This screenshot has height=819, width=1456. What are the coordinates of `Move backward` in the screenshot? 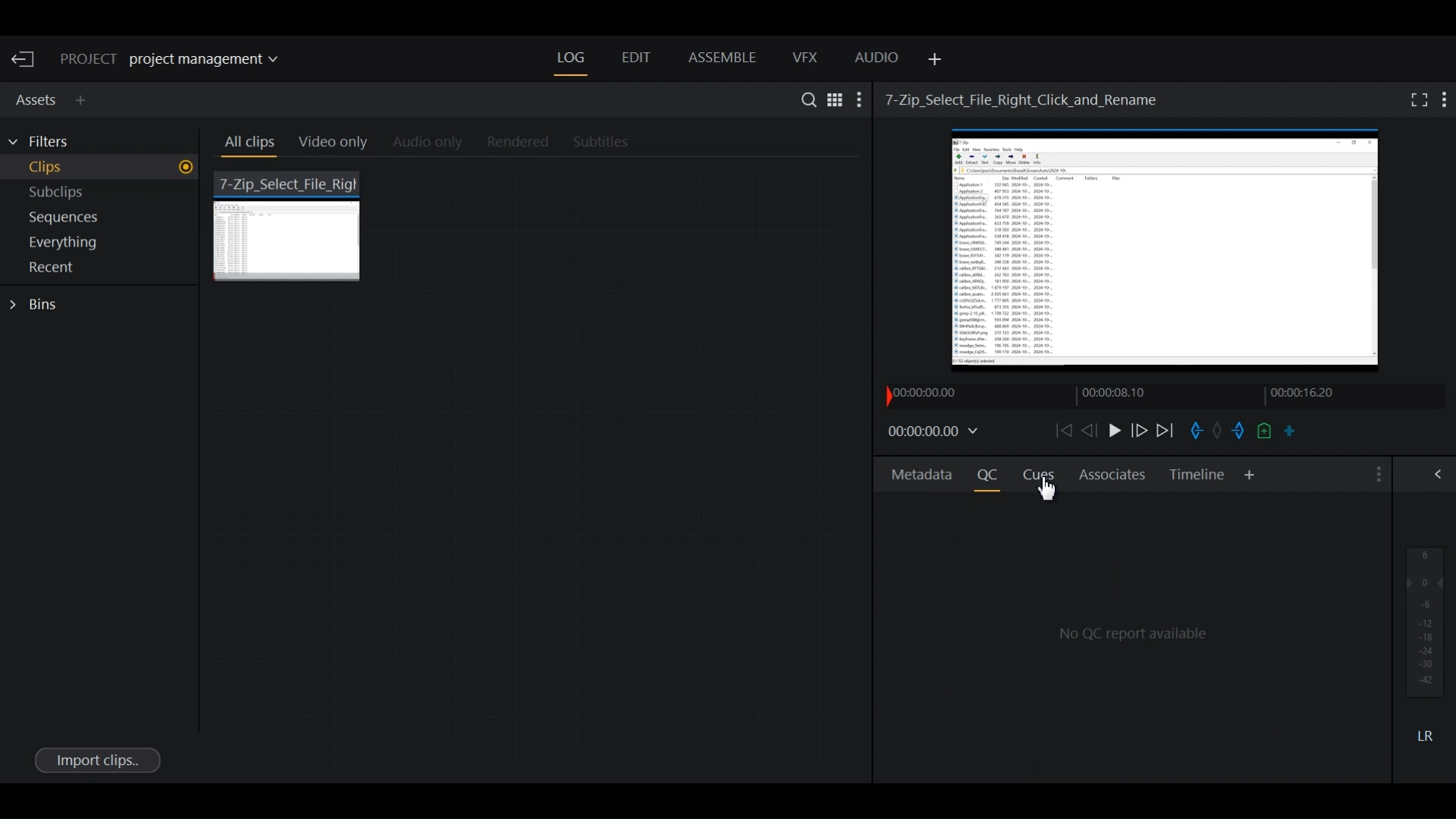 It's located at (1062, 430).